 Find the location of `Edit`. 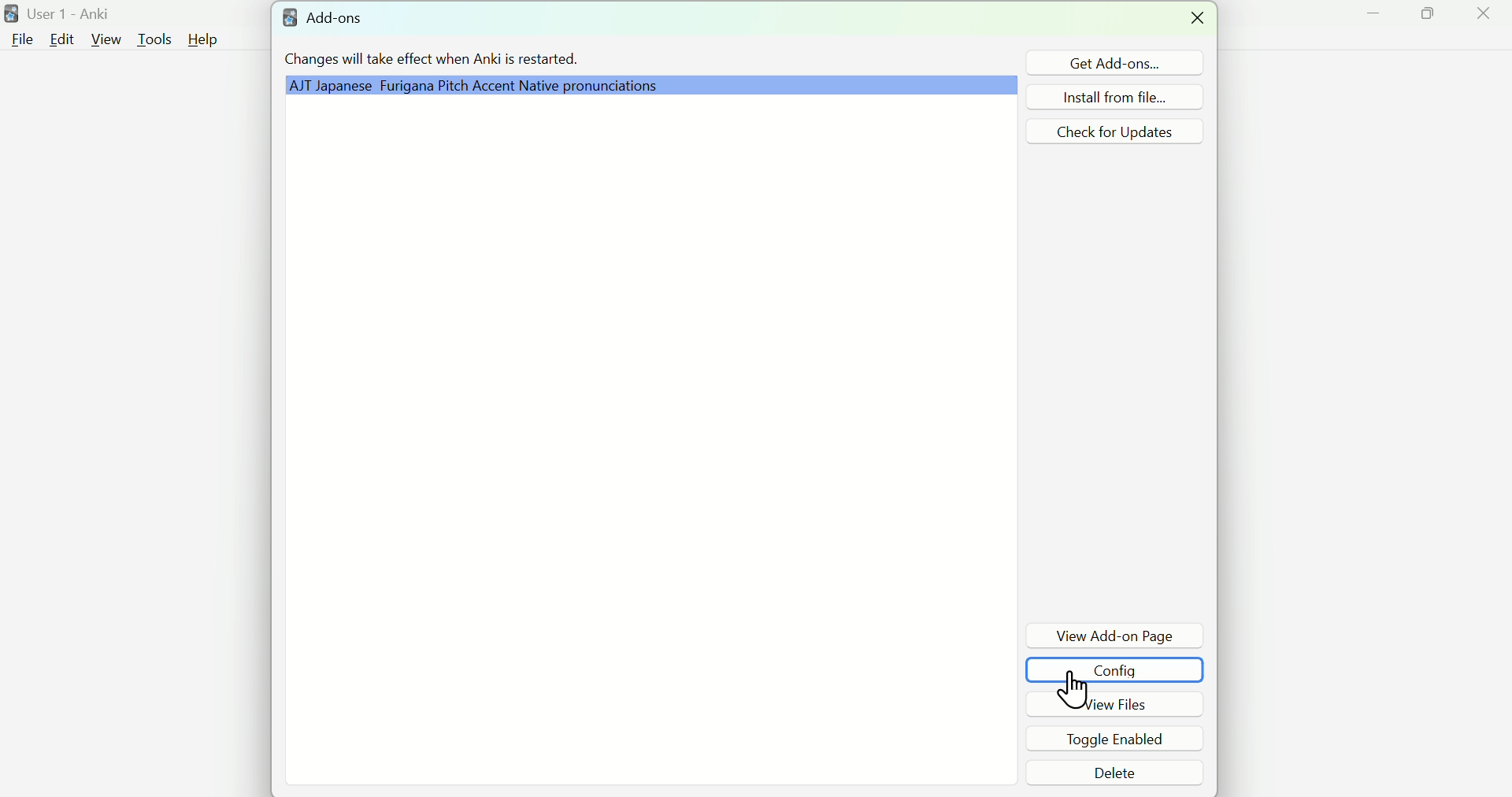

Edit is located at coordinates (59, 42).